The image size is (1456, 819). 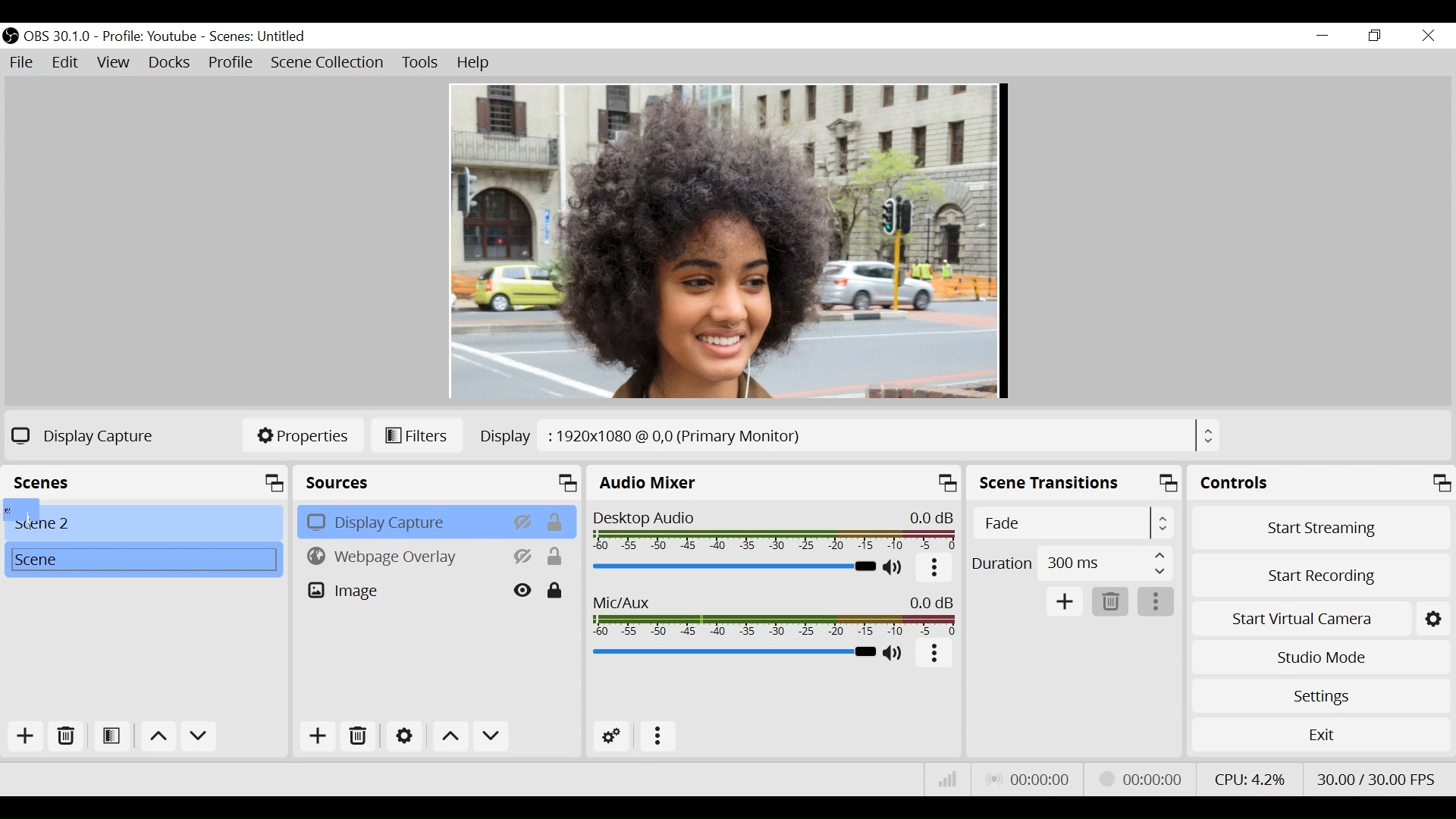 What do you see at coordinates (1075, 483) in the screenshot?
I see `Scene Transition` at bounding box center [1075, 483].